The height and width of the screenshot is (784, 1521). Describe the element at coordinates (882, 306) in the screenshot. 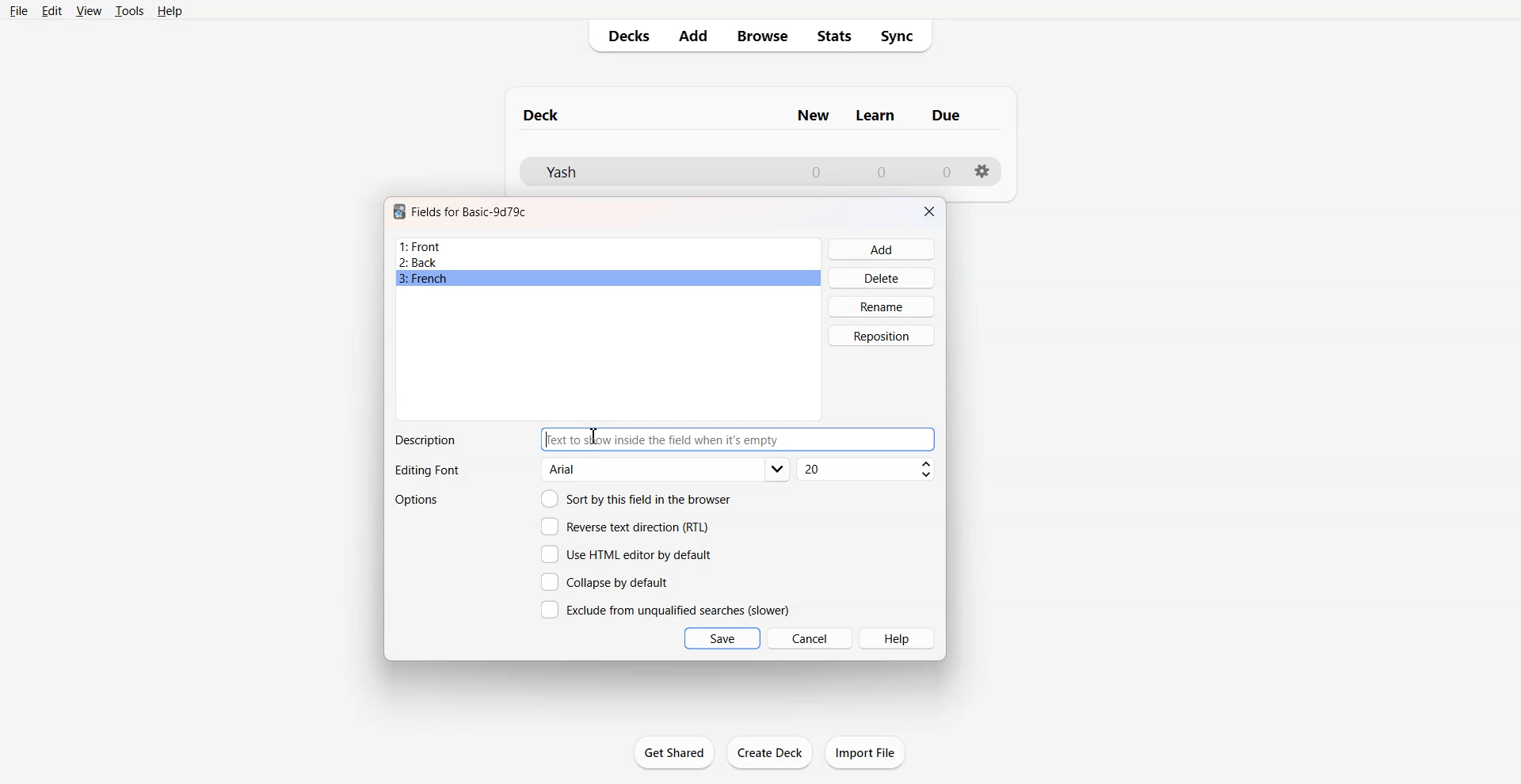

I see `Rename` at that location.